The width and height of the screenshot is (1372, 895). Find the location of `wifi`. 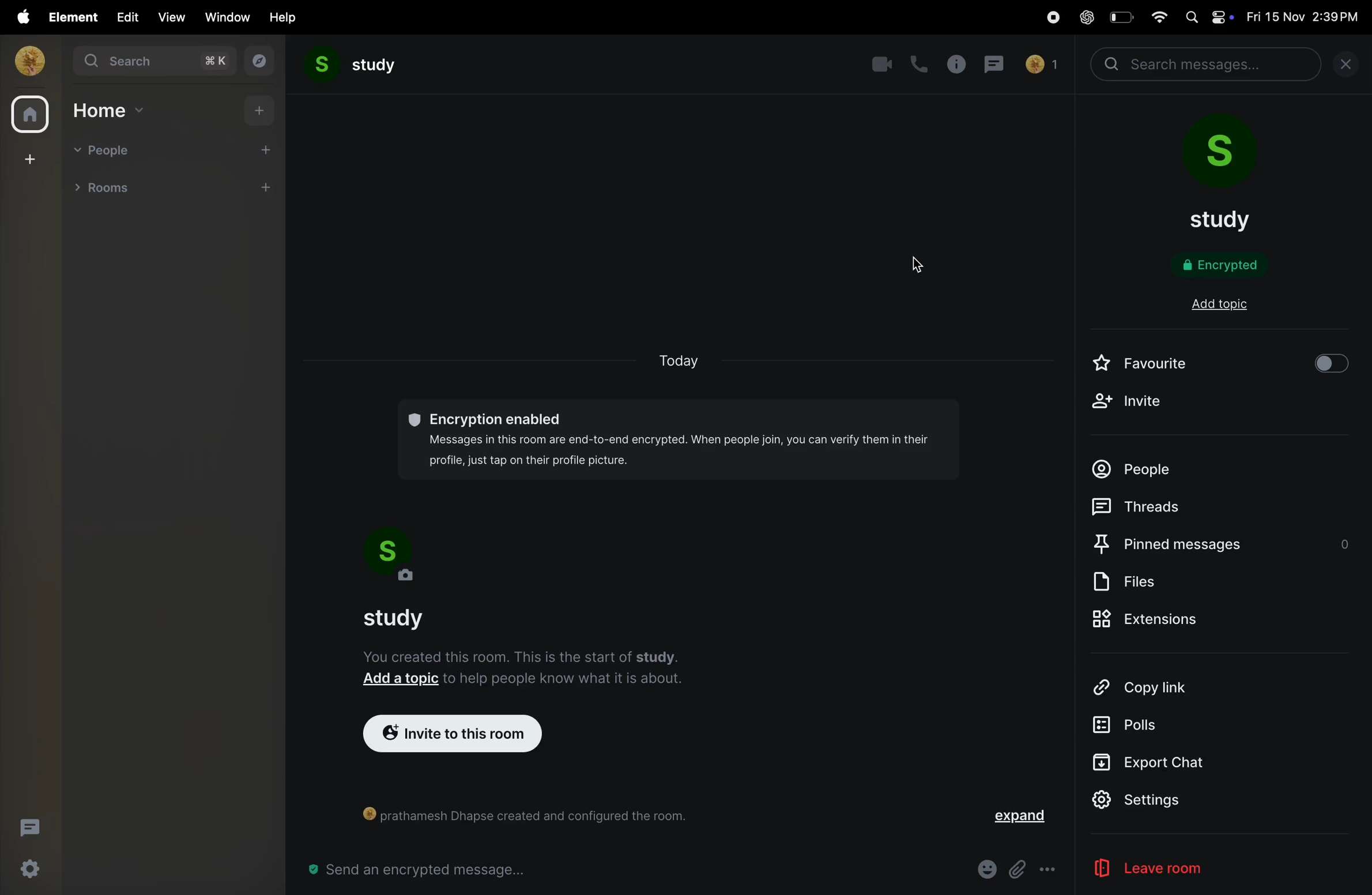

wifi is located at coordinates (1155, 16).